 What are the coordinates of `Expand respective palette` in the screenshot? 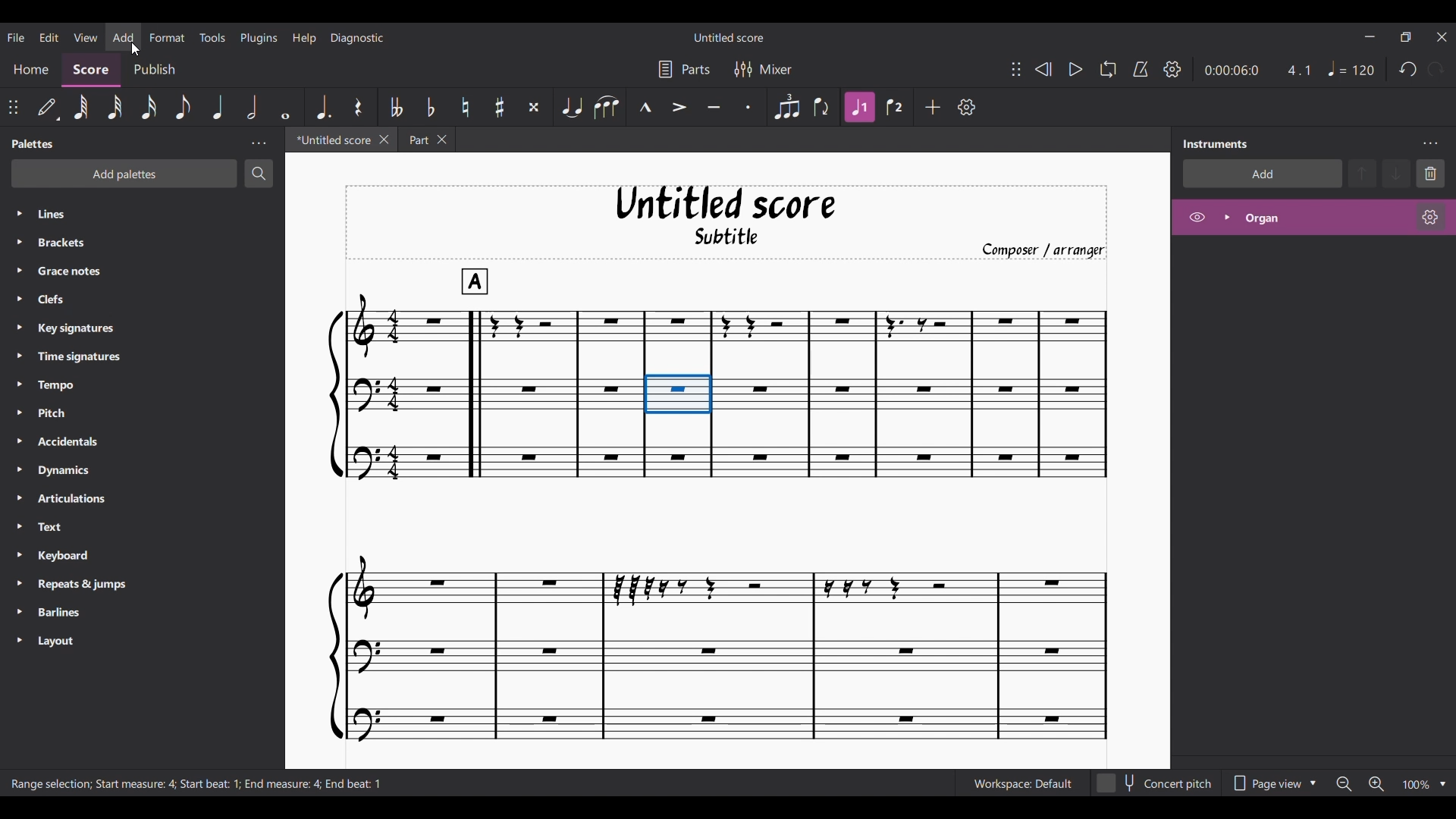 It's located at (19, 427).